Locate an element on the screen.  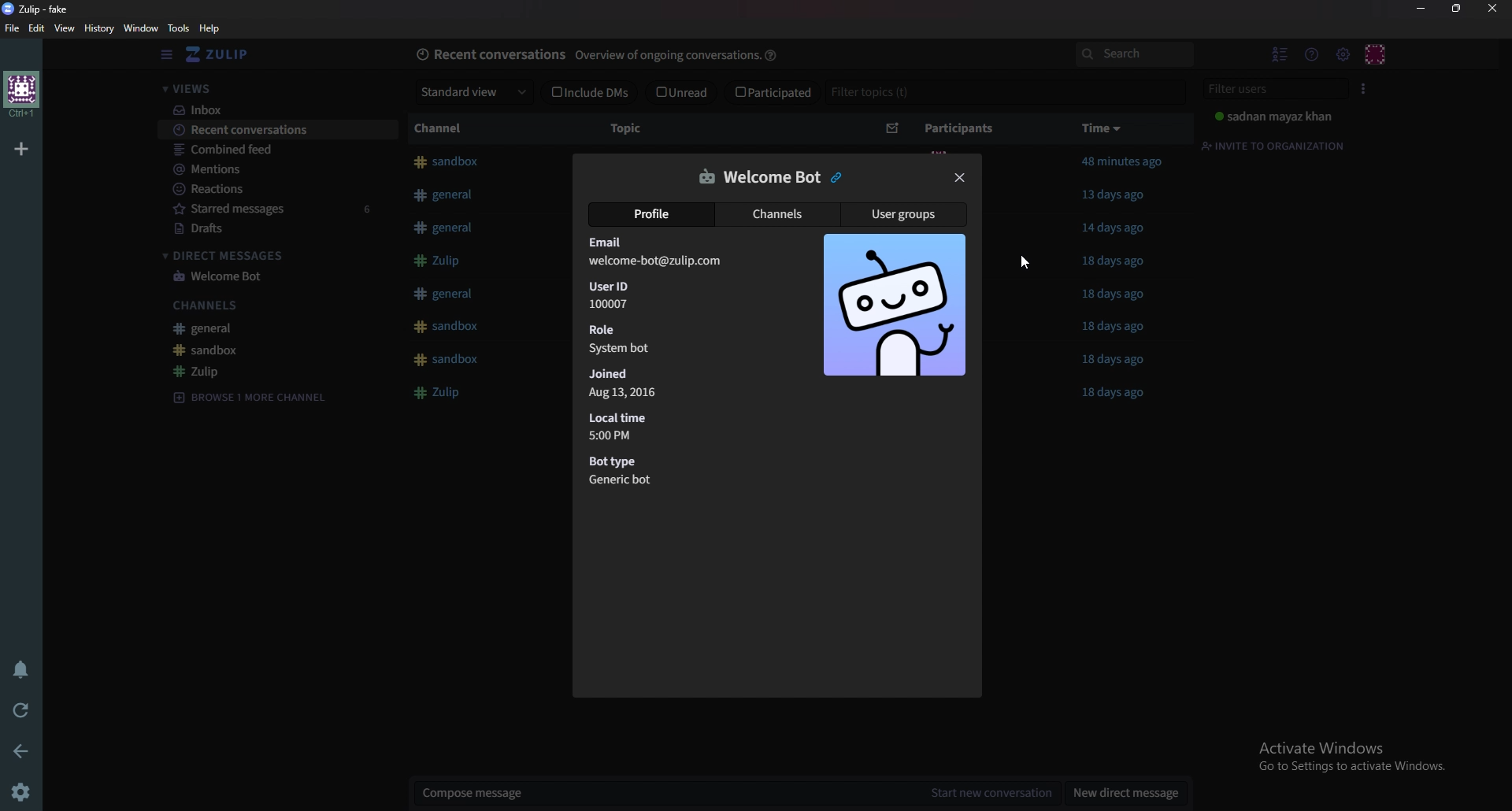
Personal menu is located at coordinates (1376, 54).